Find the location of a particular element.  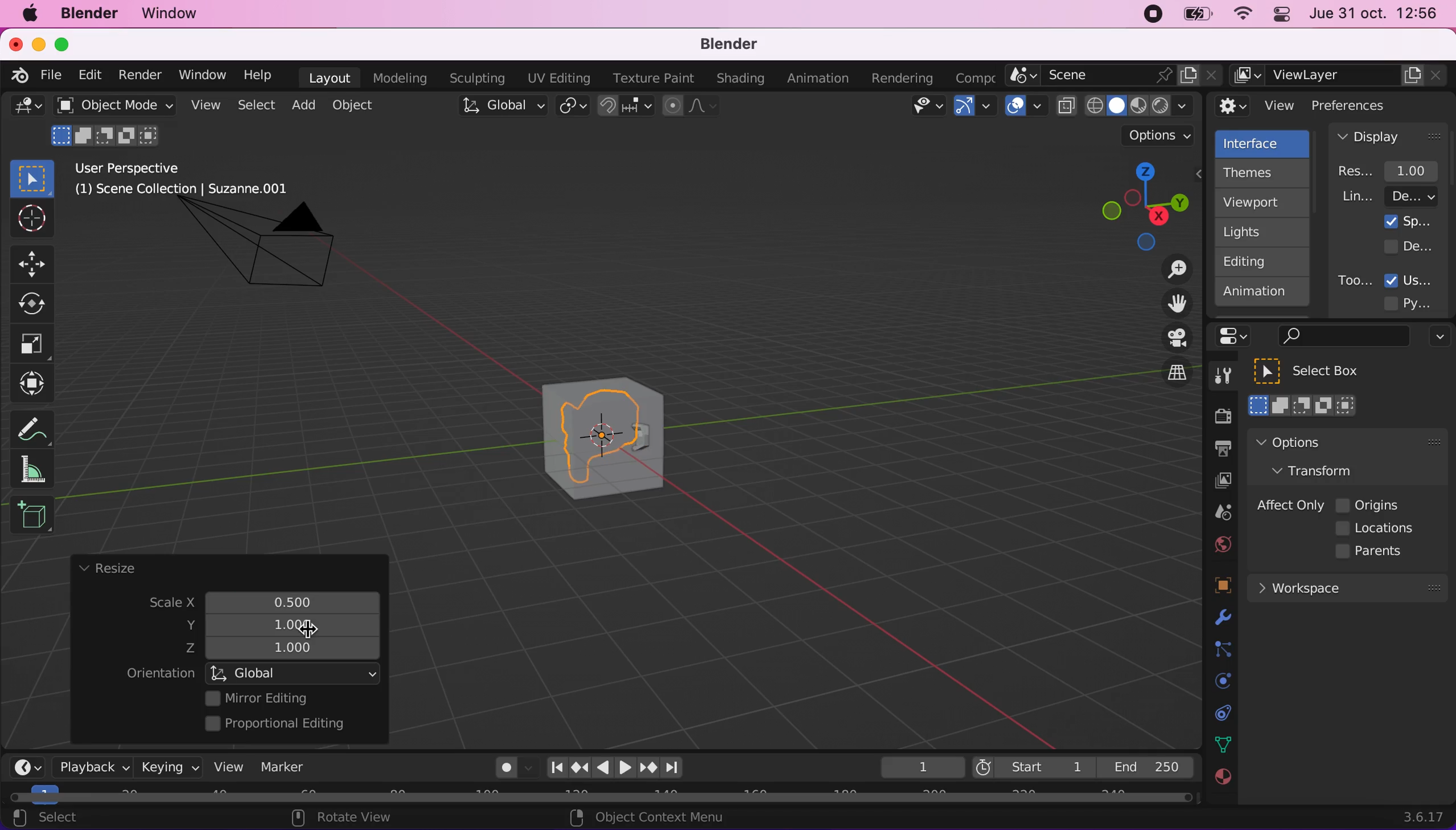

jump to endpoint is located at coordinates (678, 768).